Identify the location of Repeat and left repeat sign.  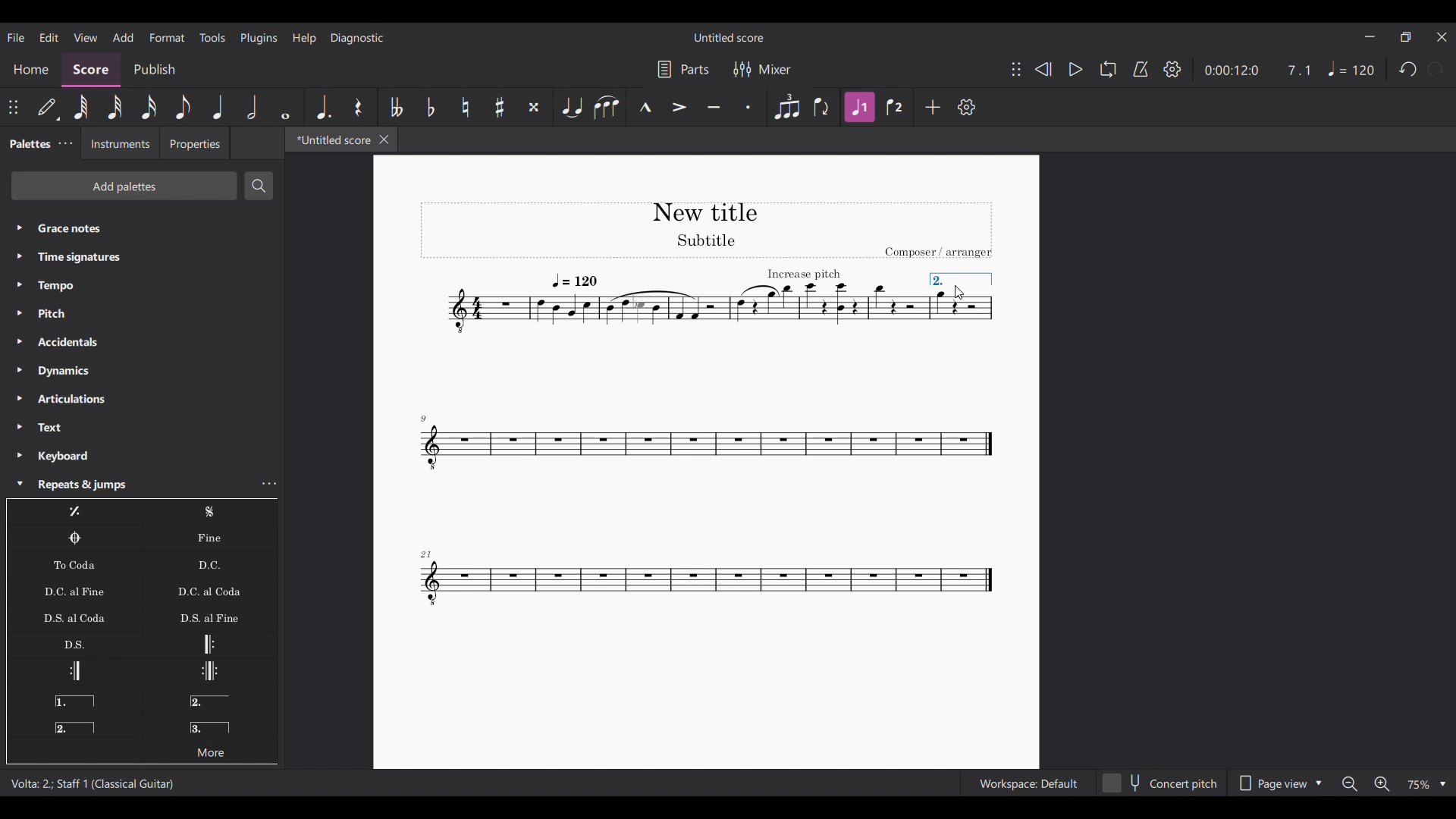
(209, 671).